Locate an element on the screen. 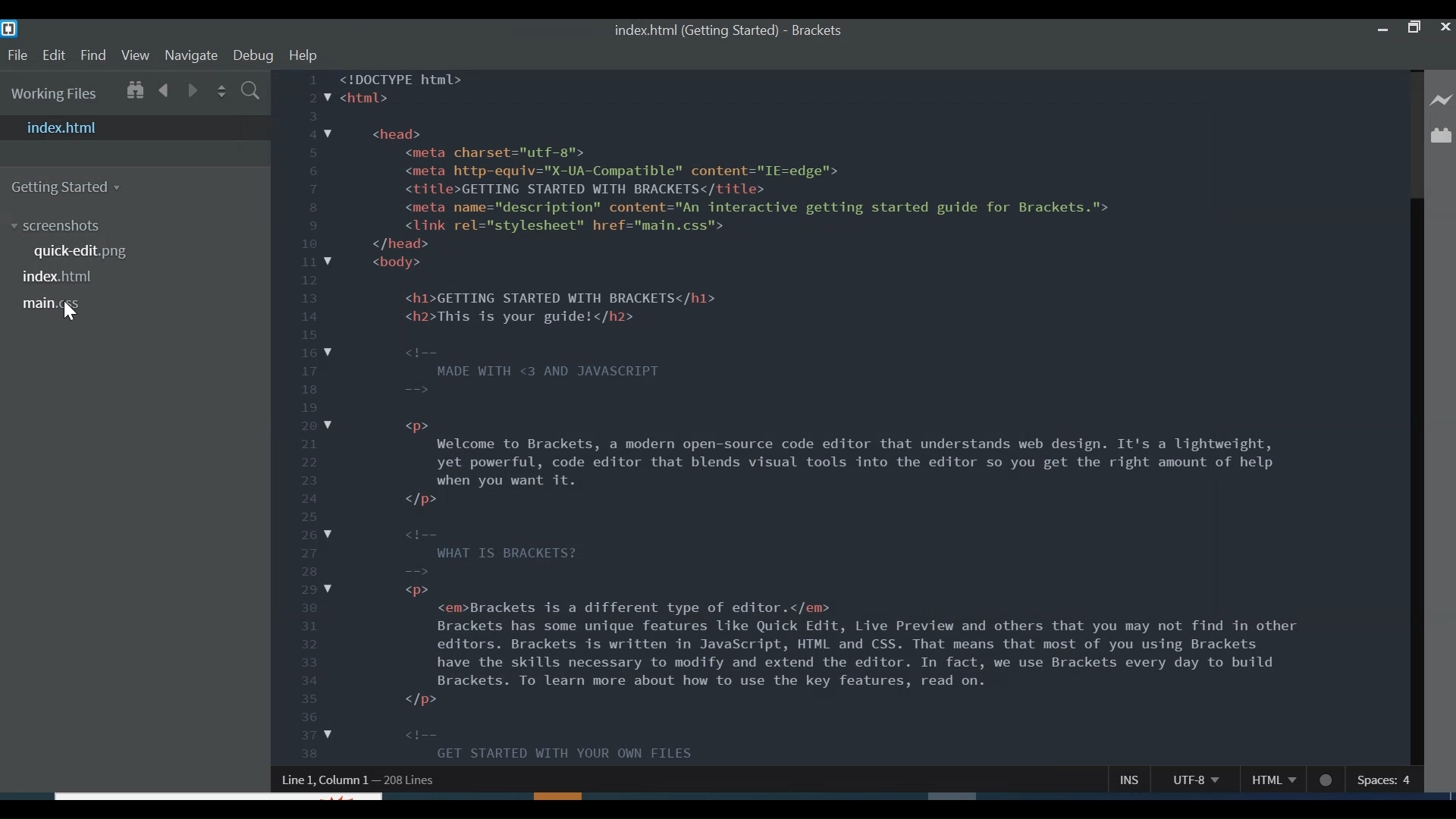 The image size is (1456, 819). Show in File Tree is located at coordinates (137, 90).